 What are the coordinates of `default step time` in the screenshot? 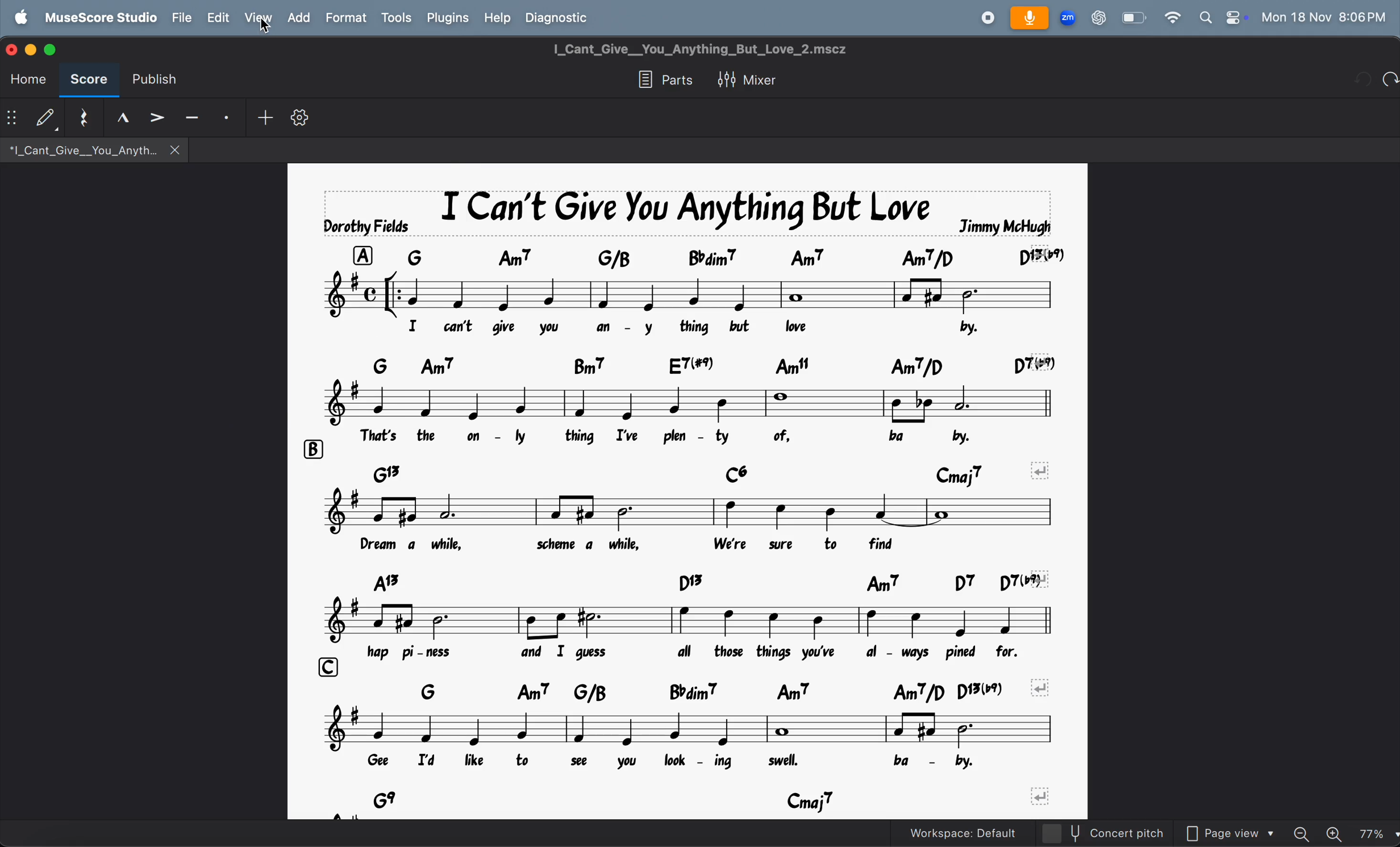 It's located at (31, 115).